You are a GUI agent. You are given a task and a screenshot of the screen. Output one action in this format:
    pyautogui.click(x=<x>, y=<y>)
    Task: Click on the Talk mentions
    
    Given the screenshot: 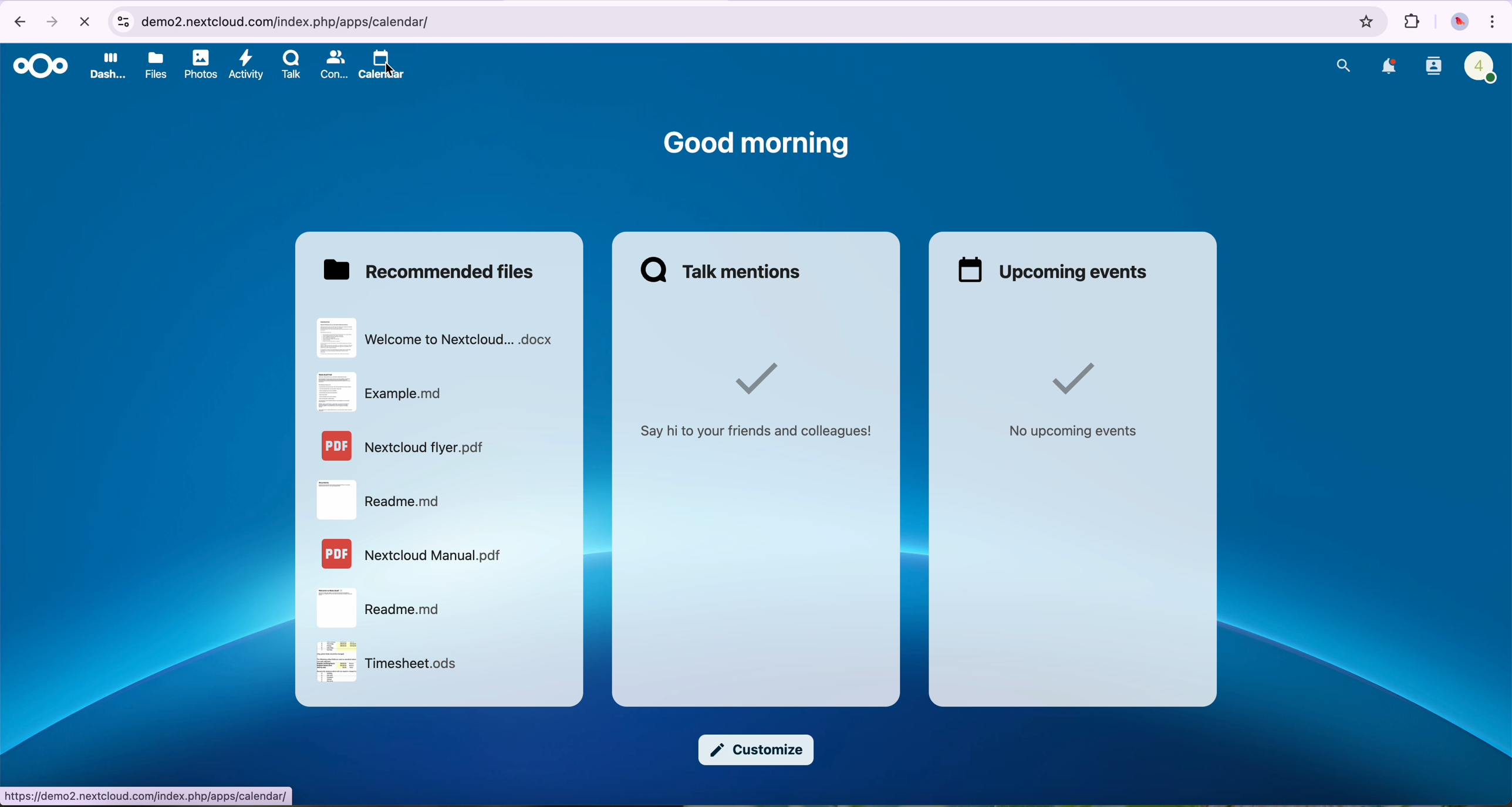 What is the action you would take?
    pyautogui.click(x=722, y=271)
    